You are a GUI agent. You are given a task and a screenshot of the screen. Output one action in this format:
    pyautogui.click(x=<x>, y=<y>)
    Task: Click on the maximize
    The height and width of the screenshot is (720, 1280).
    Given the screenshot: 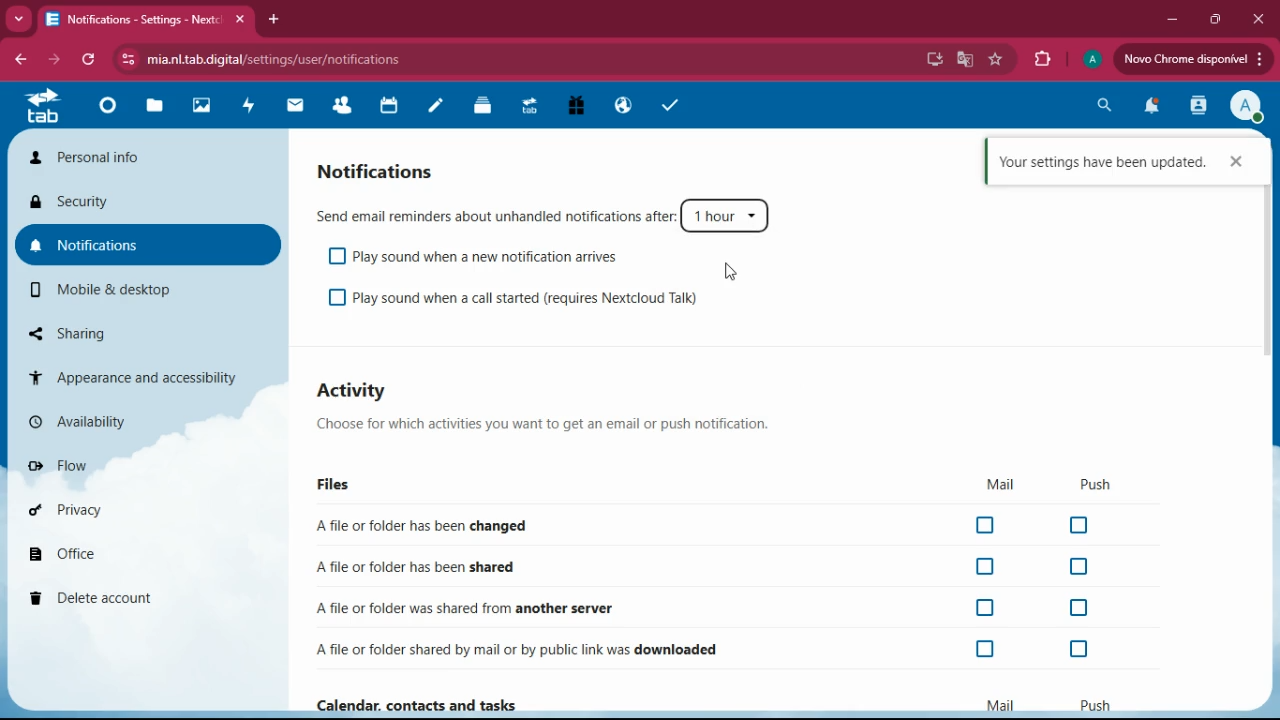 What is the action you would take?
    pyautogui.click(x=1214, y=20)
    